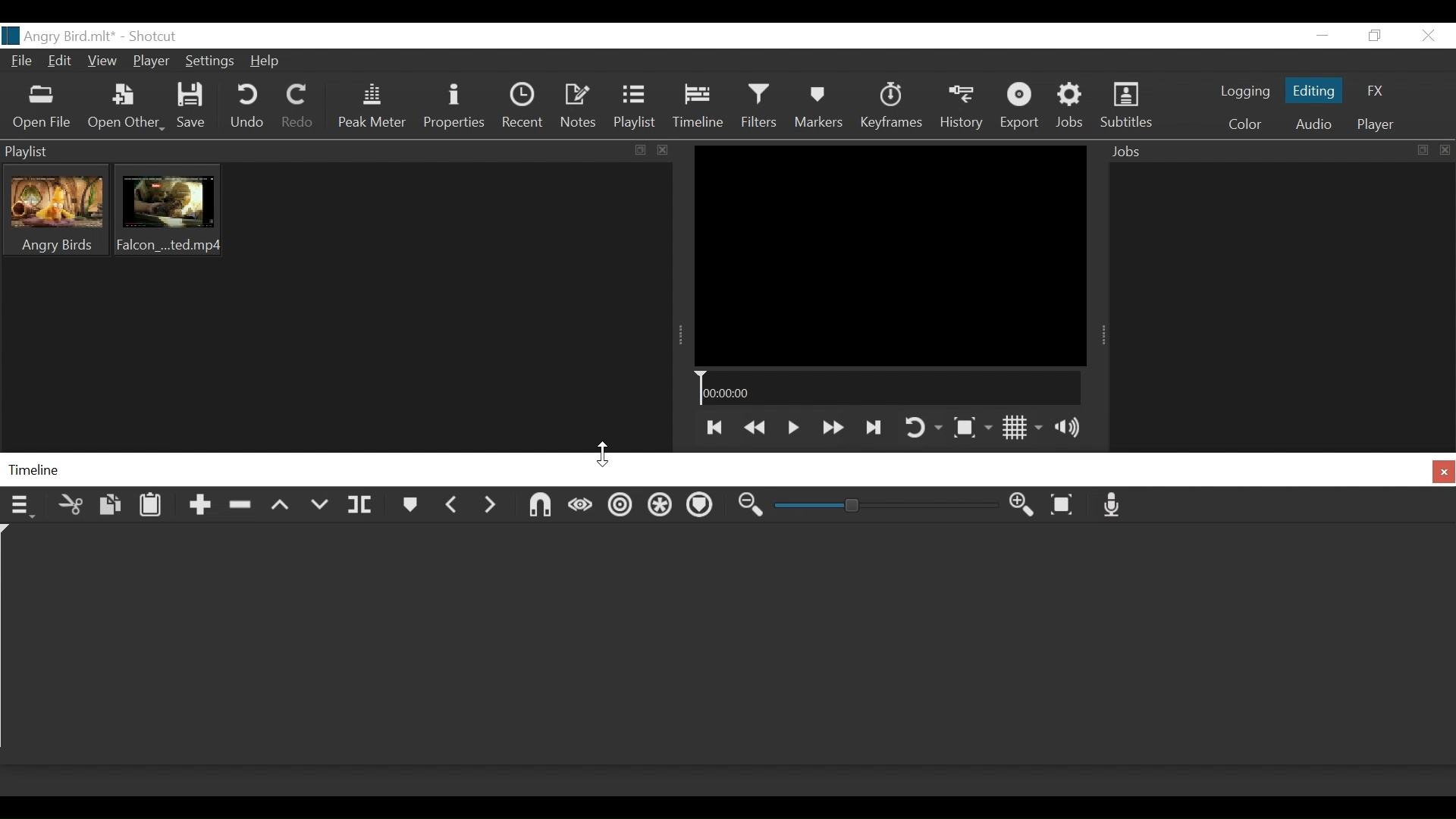  What do you see at coordinates (266, 63) in the screenshot?
I see `Help` at bounding box center [266, 63].